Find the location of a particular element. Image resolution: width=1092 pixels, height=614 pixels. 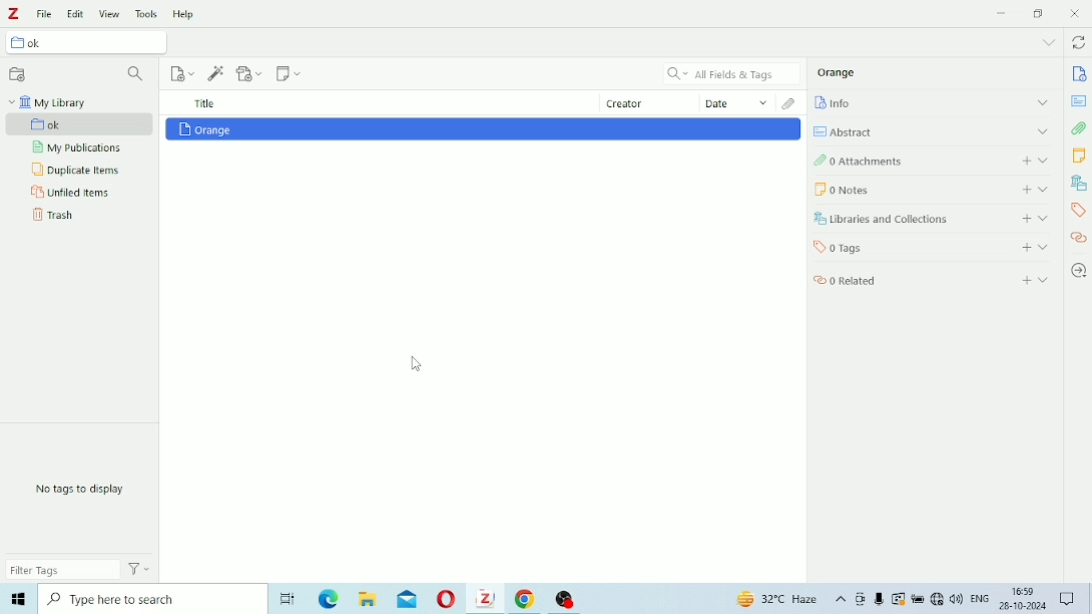

Cursor is located at coordinates (418, 364).